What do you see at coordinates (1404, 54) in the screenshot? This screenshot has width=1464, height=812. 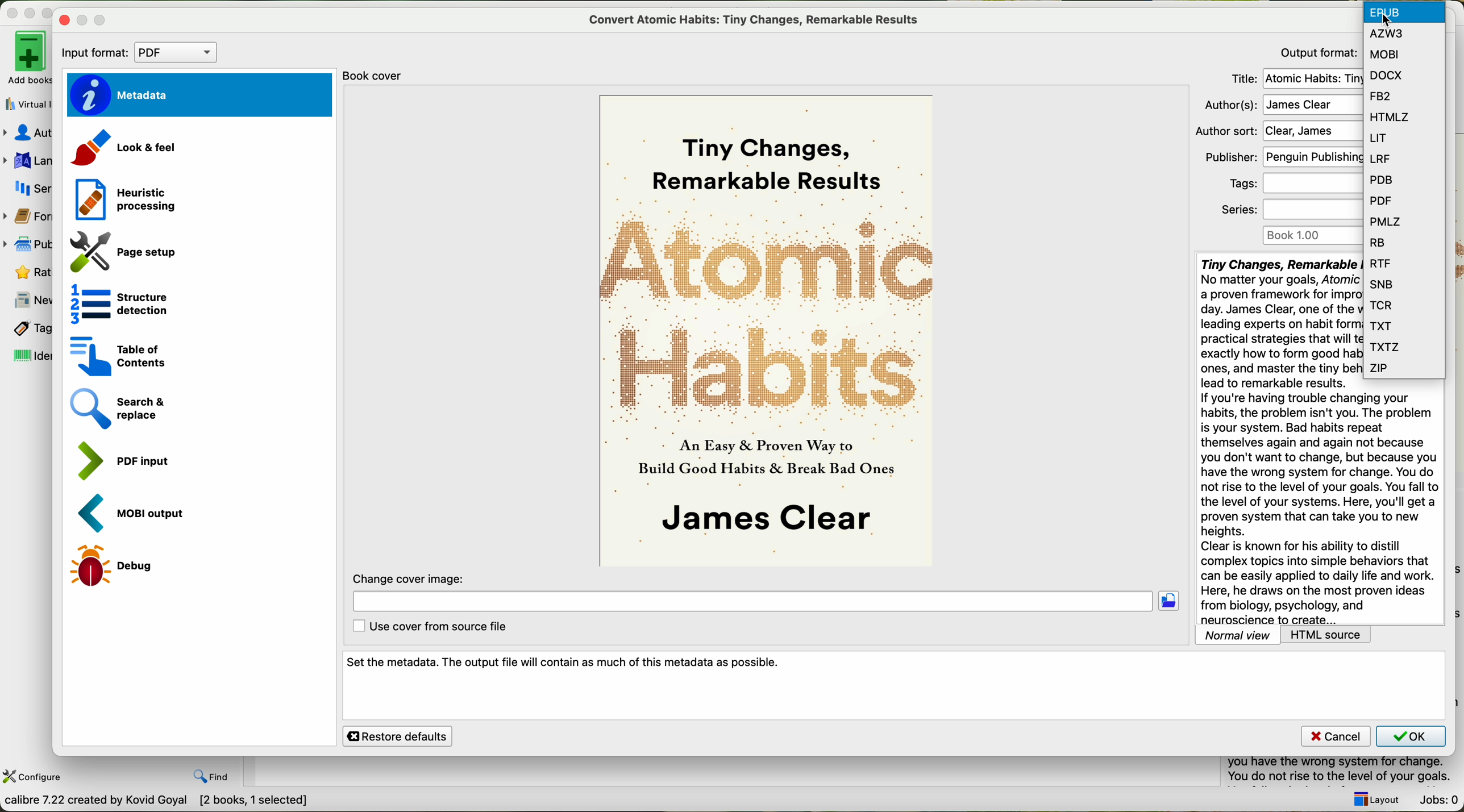 I see `MOBI` at bounding box center [1404, 54].